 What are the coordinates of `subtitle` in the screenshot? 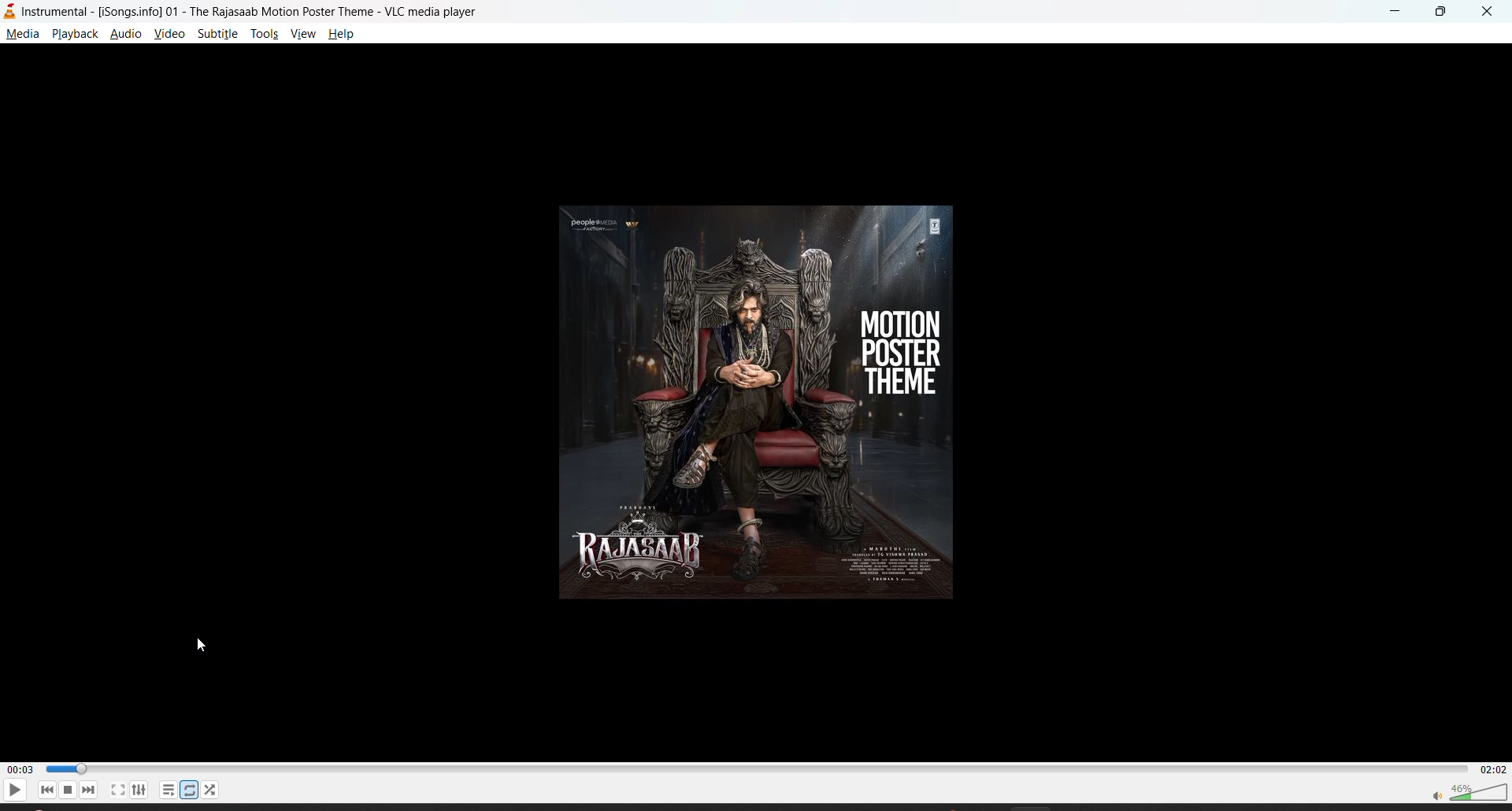 It's located at (220, 35).